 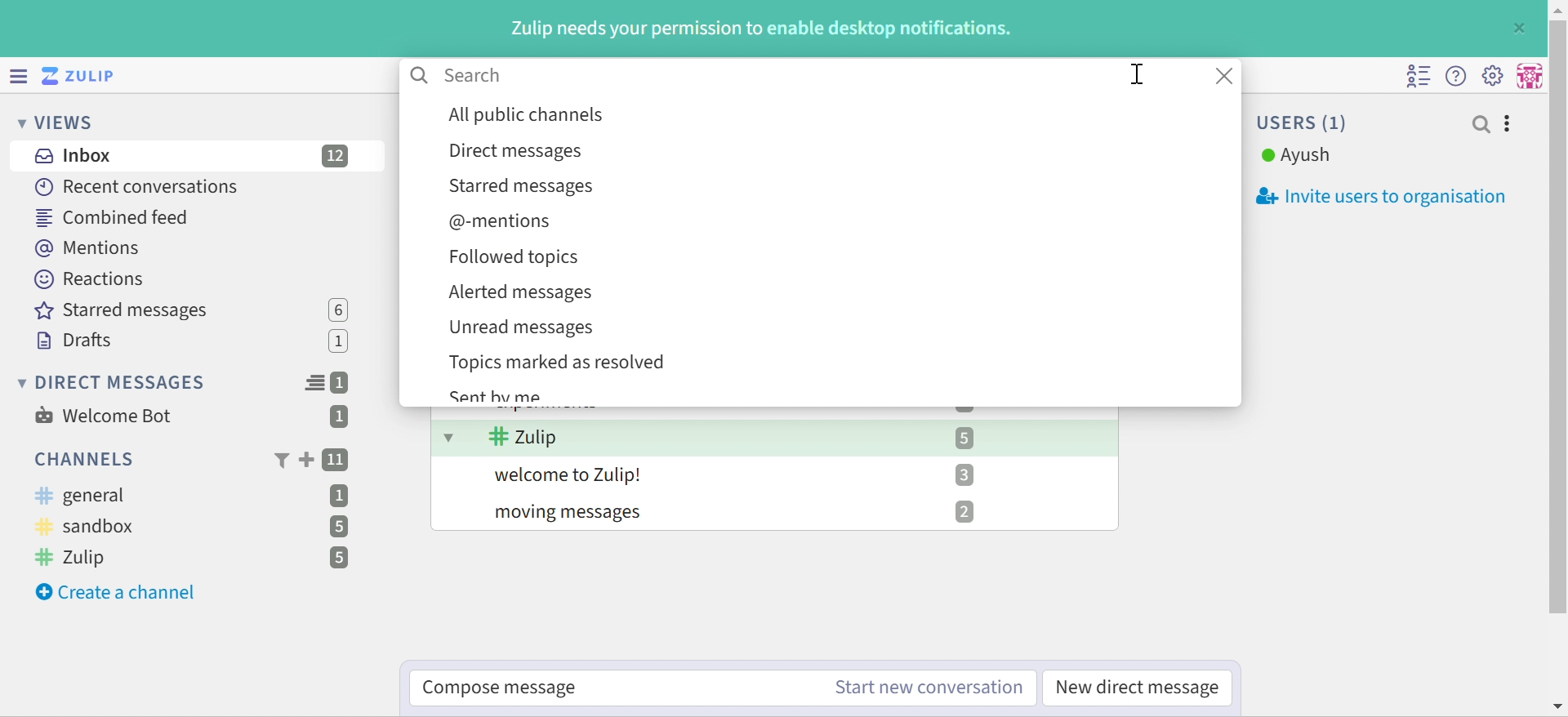 What do you see at coordinates (112, 218) in the screenshot?
I see `Combined feed` at bounding box center [112, 218].